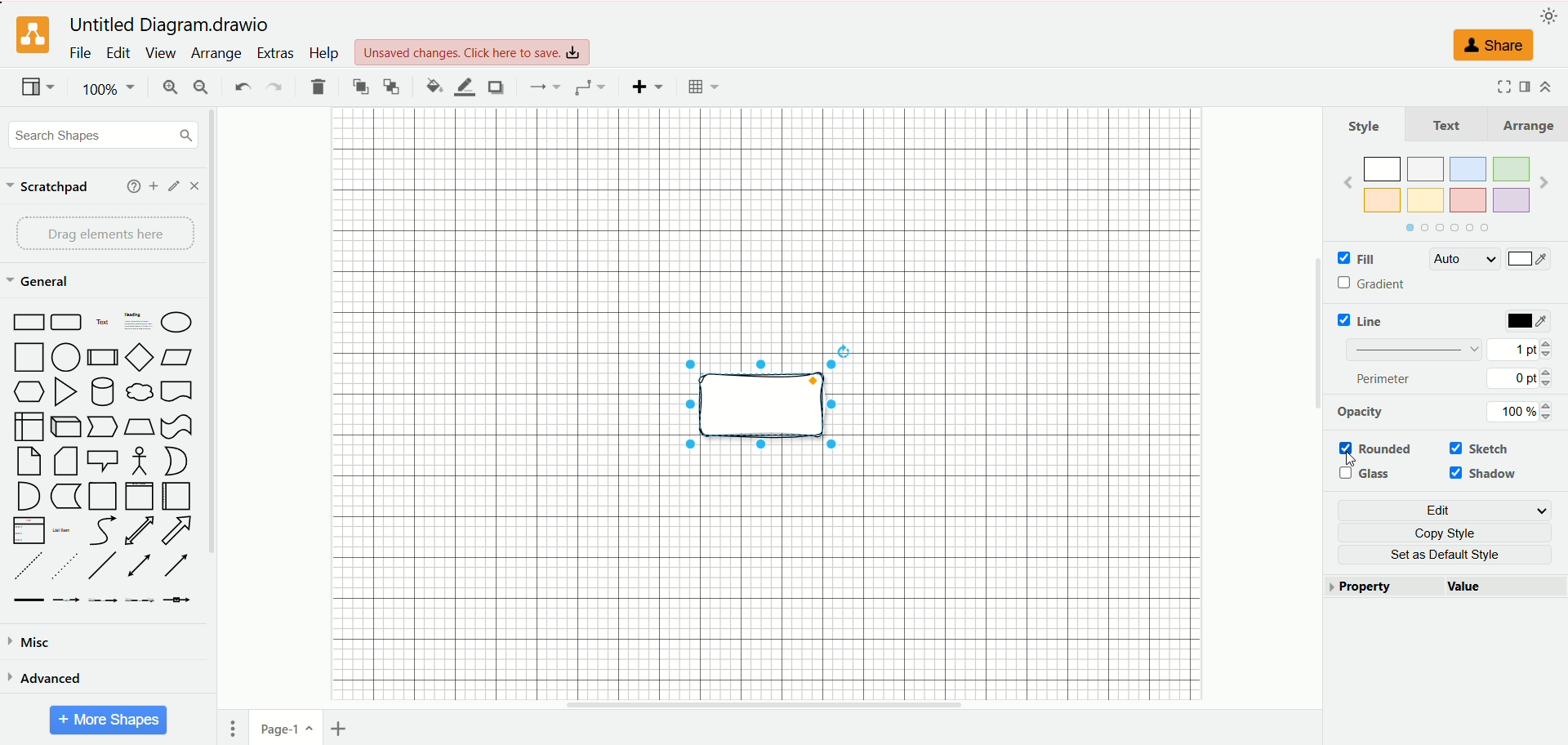  What do you see at coordinates (48, 188) in the screenshot?
I see `scratchpad` at bounding box center [48, 188].